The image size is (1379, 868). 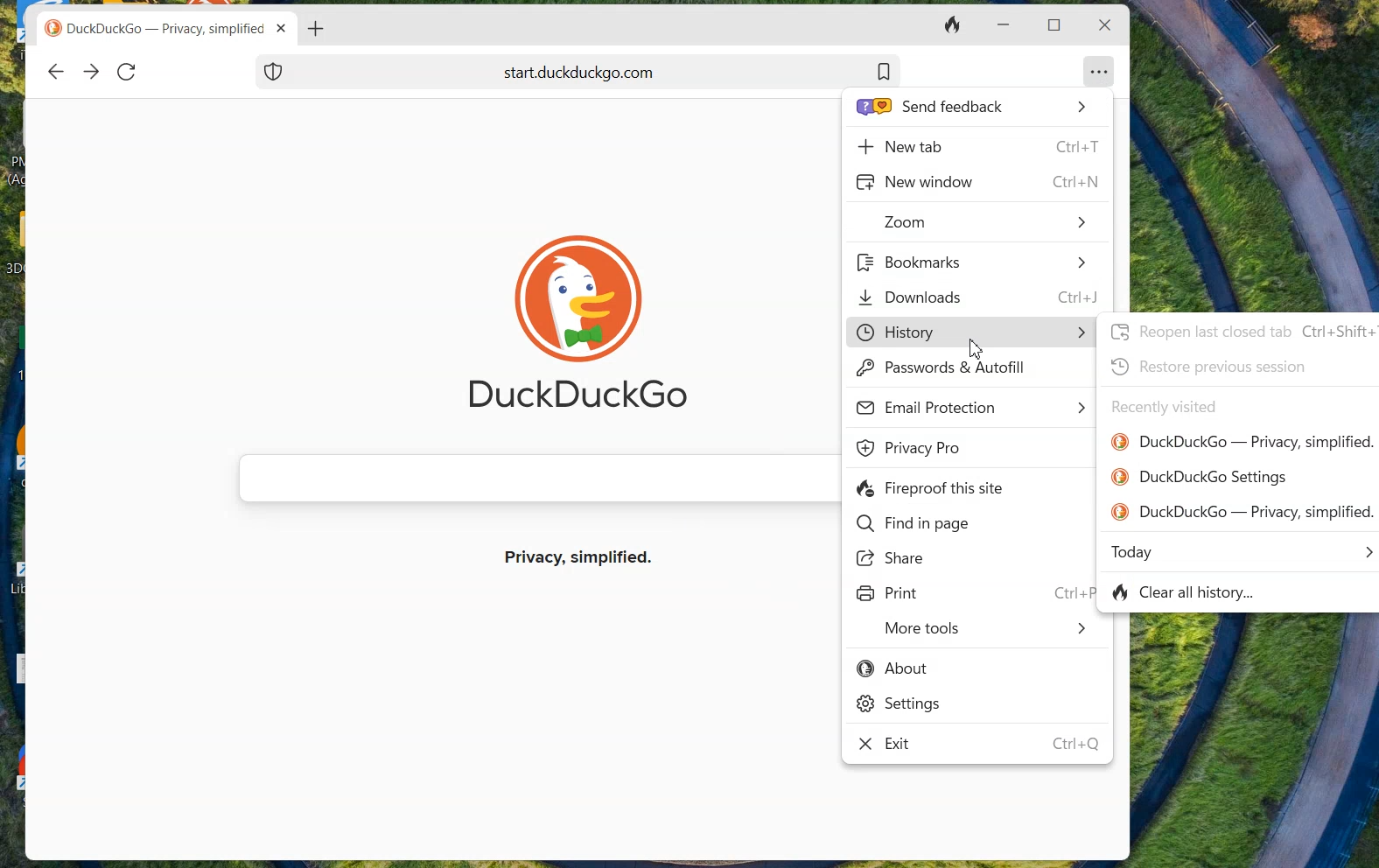 I want to click on Passwords and Autofill, so click(x=948, y=370).